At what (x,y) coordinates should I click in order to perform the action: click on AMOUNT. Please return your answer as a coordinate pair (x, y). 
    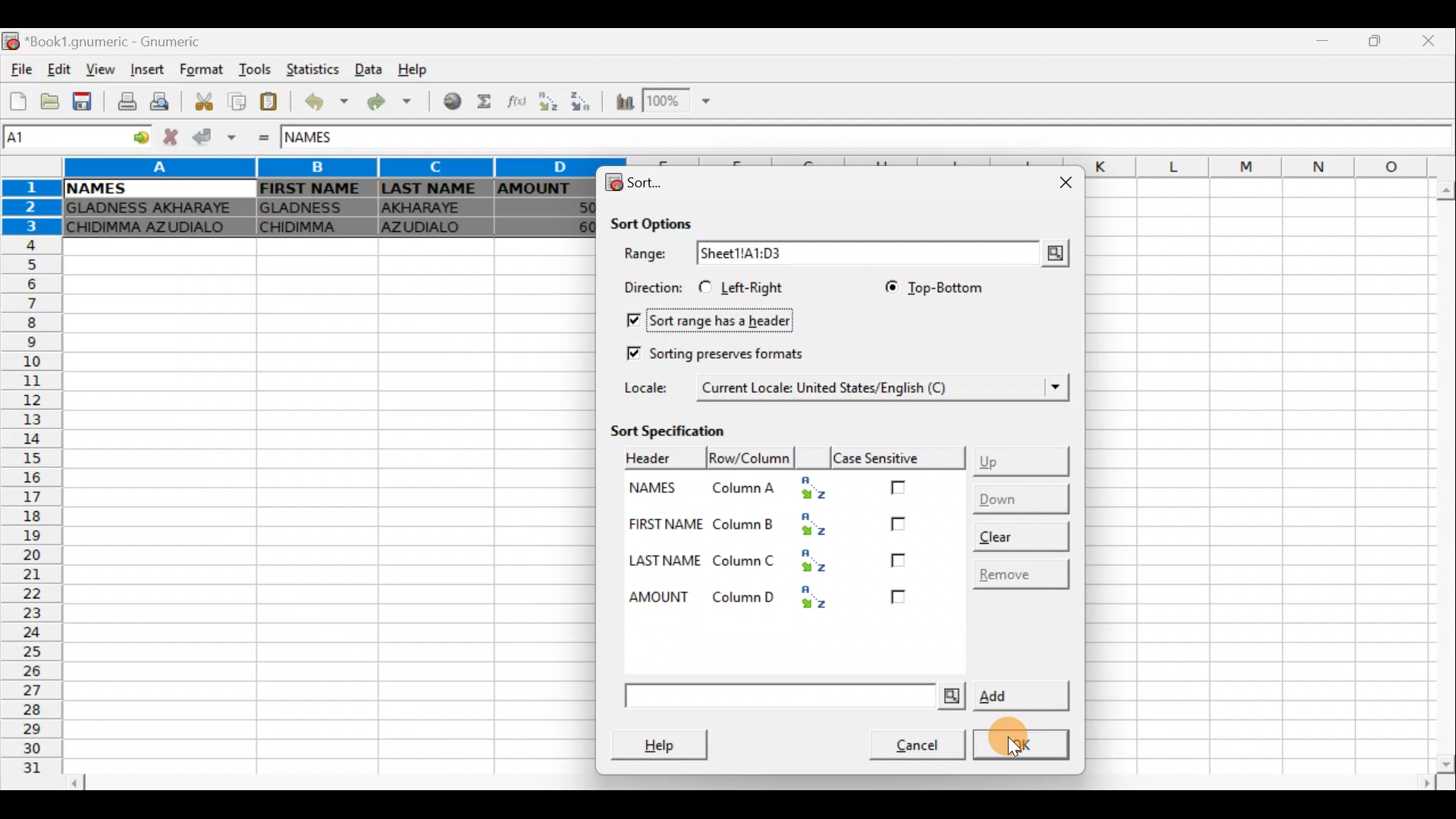
    Looking at the image, I should click on (545, 190).